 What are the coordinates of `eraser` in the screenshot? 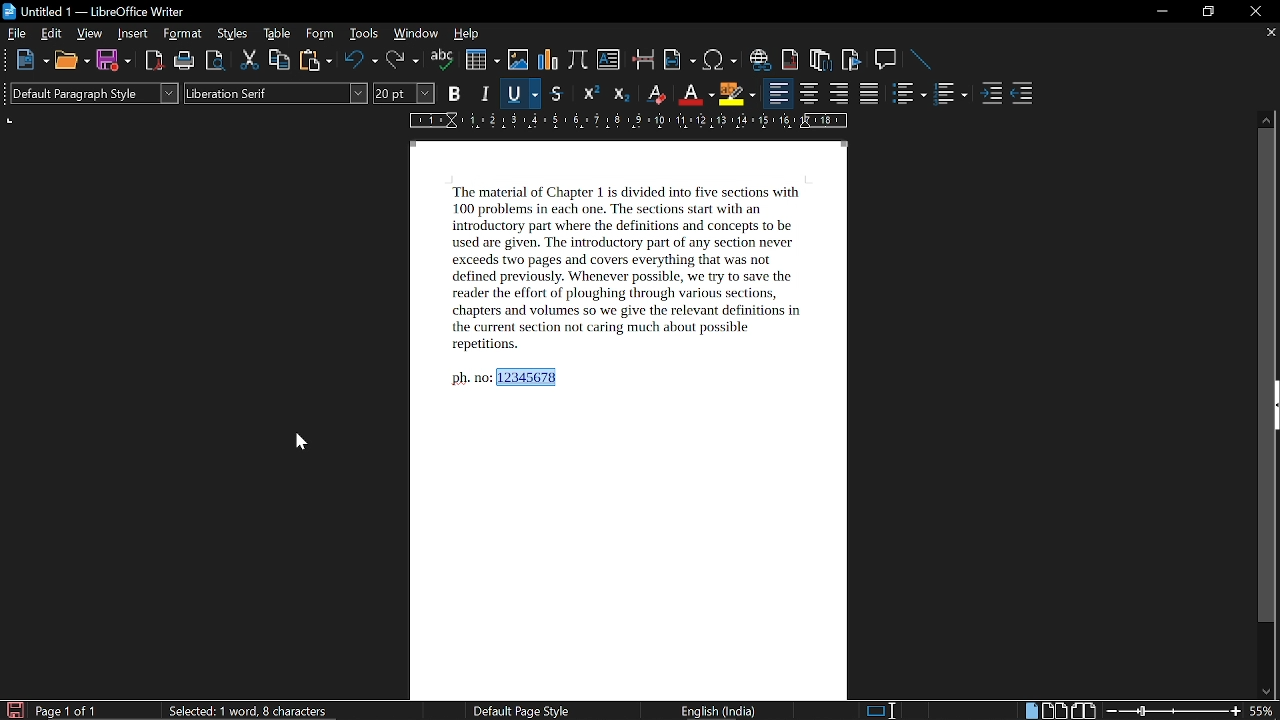 It's located at (654, 94).